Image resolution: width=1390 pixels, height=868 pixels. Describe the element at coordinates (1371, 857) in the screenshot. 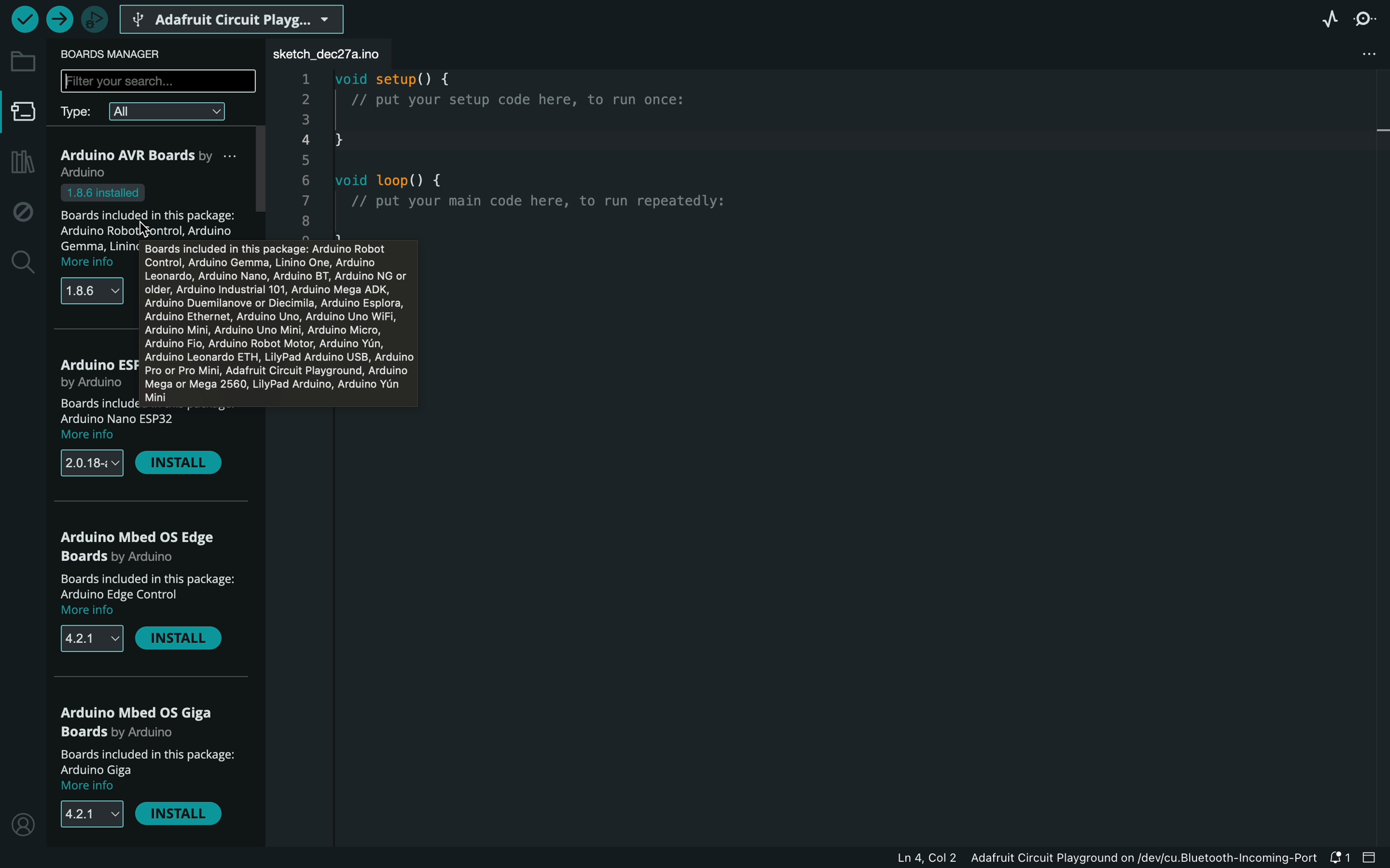

I see `close slide bar` at that location.